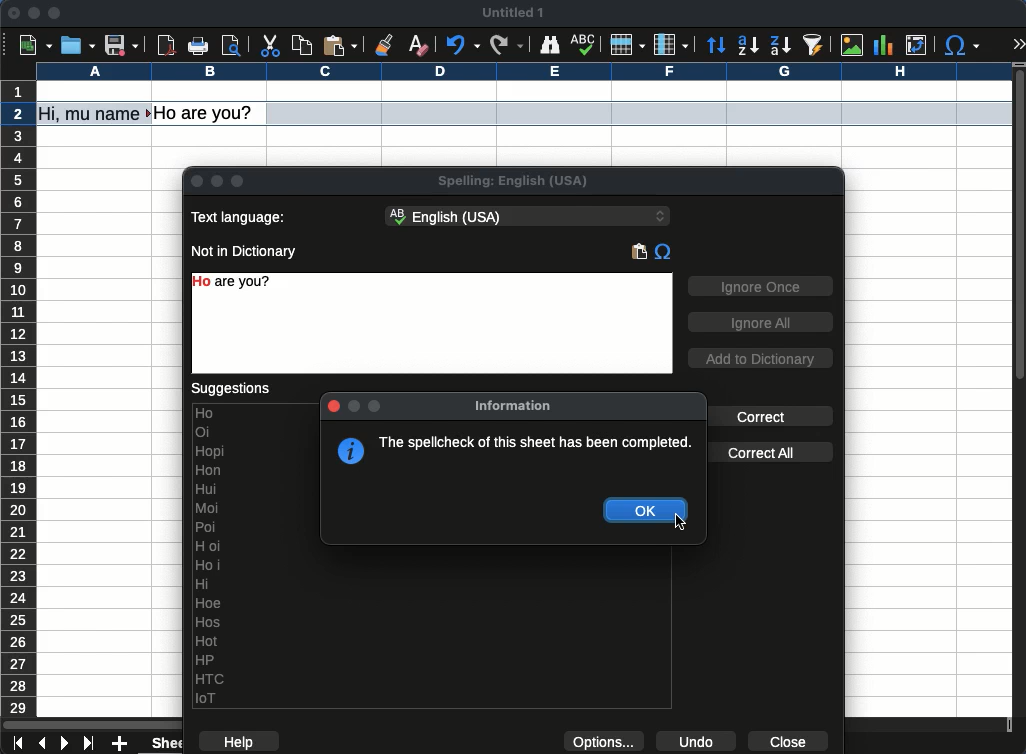 This screenshot has height=754, width=1026. I want to click on scroll, so click(1020, 391).